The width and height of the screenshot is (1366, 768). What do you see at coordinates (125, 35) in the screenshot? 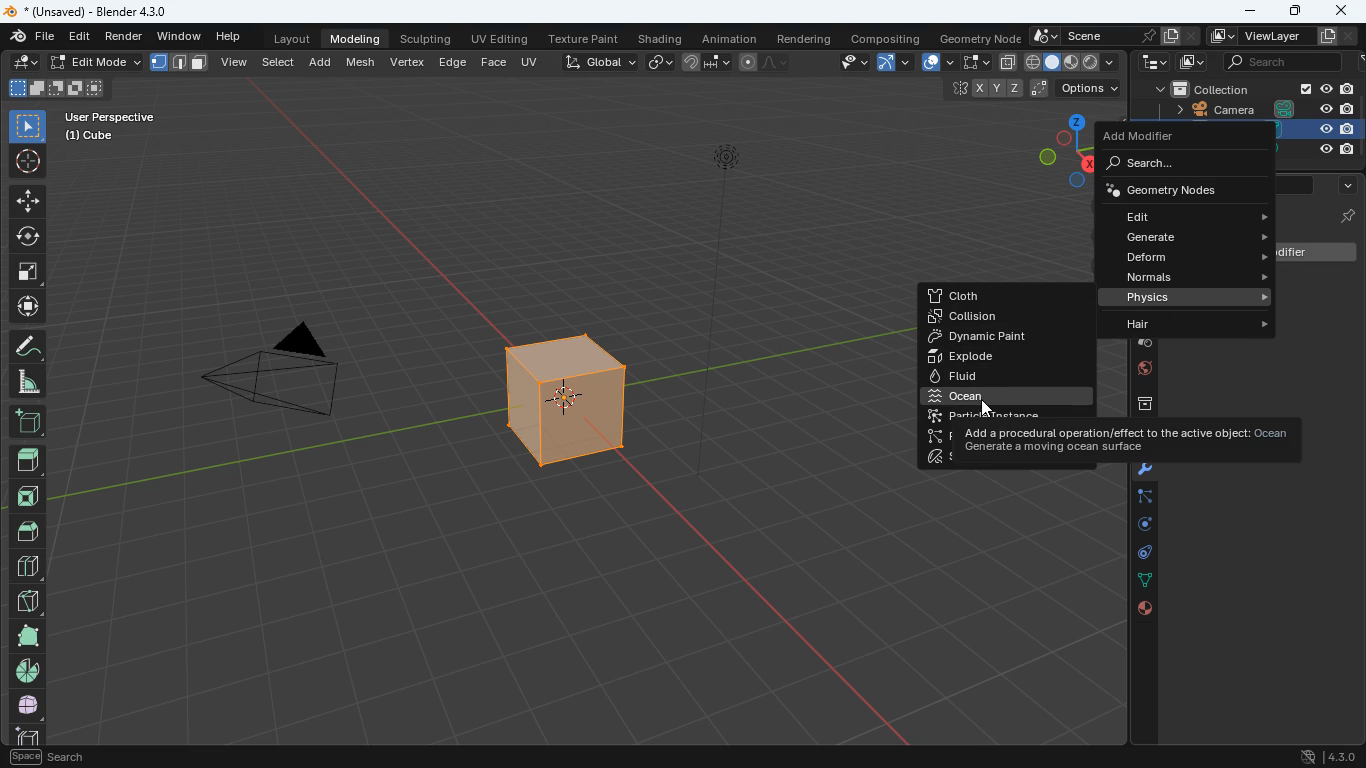
I see `render` at bounding box center [125, 35].